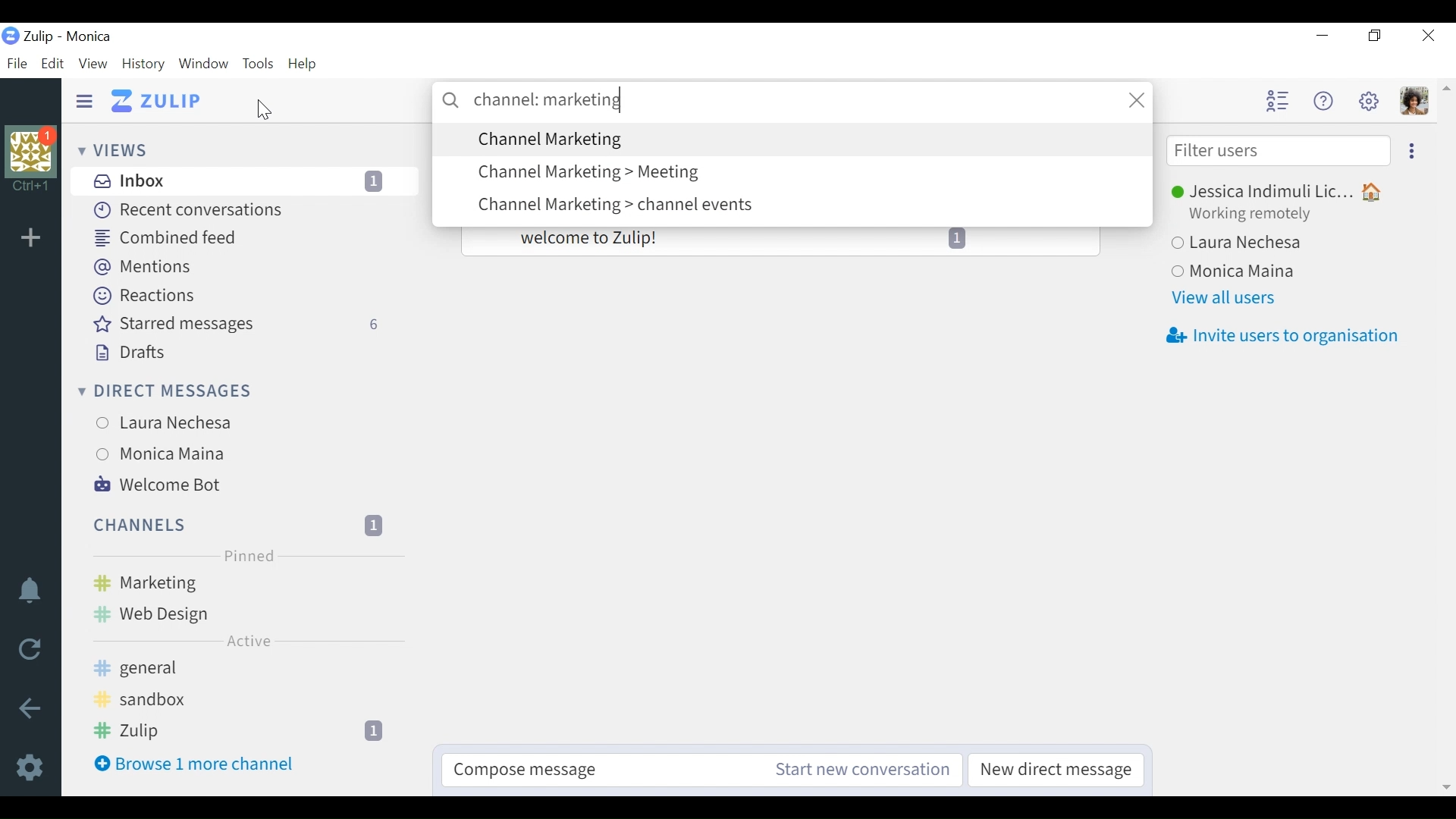  I want to click on channel, so click(246, 616).